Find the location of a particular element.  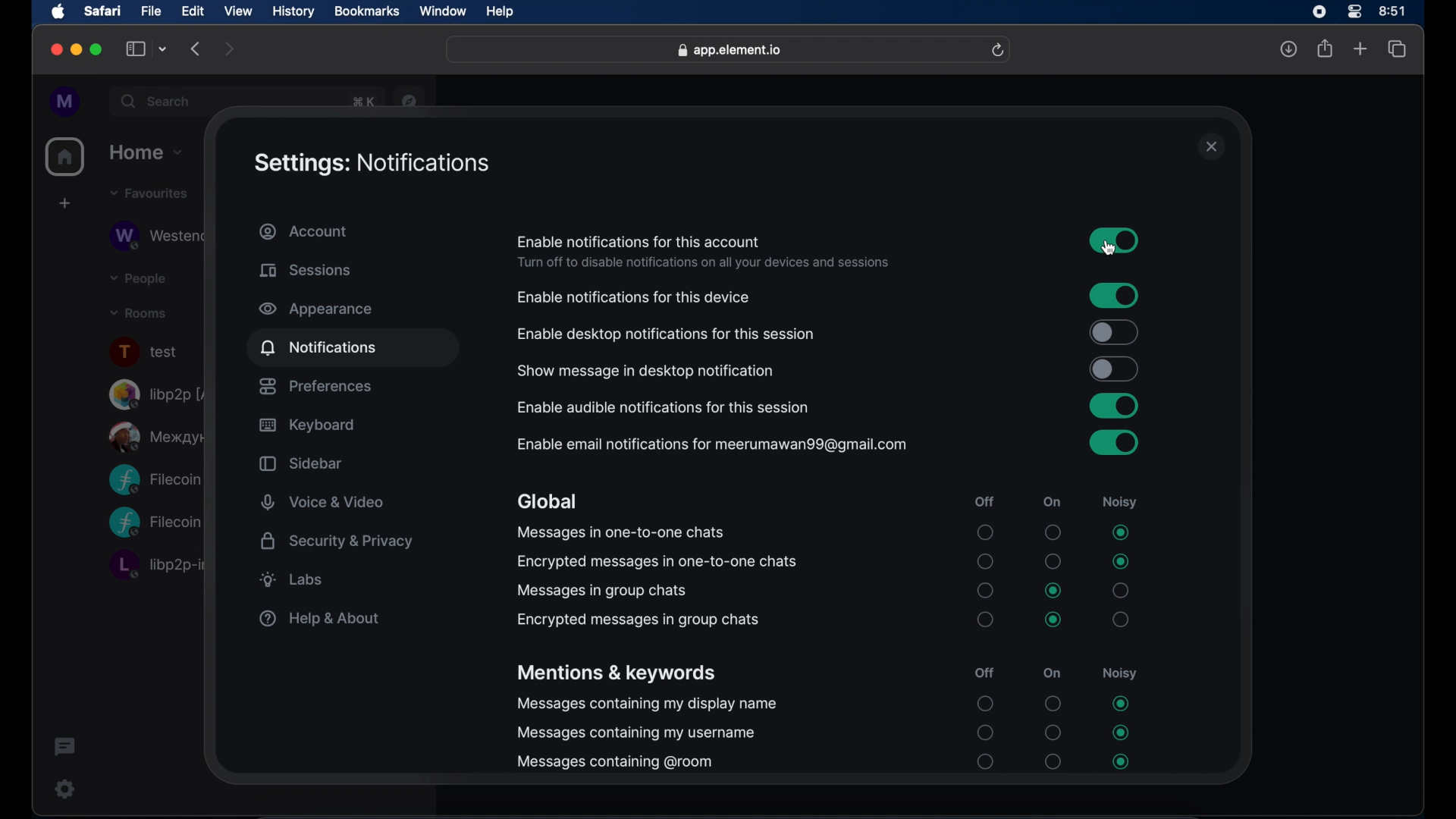

security and privacy is located at coordinates (337, 541).